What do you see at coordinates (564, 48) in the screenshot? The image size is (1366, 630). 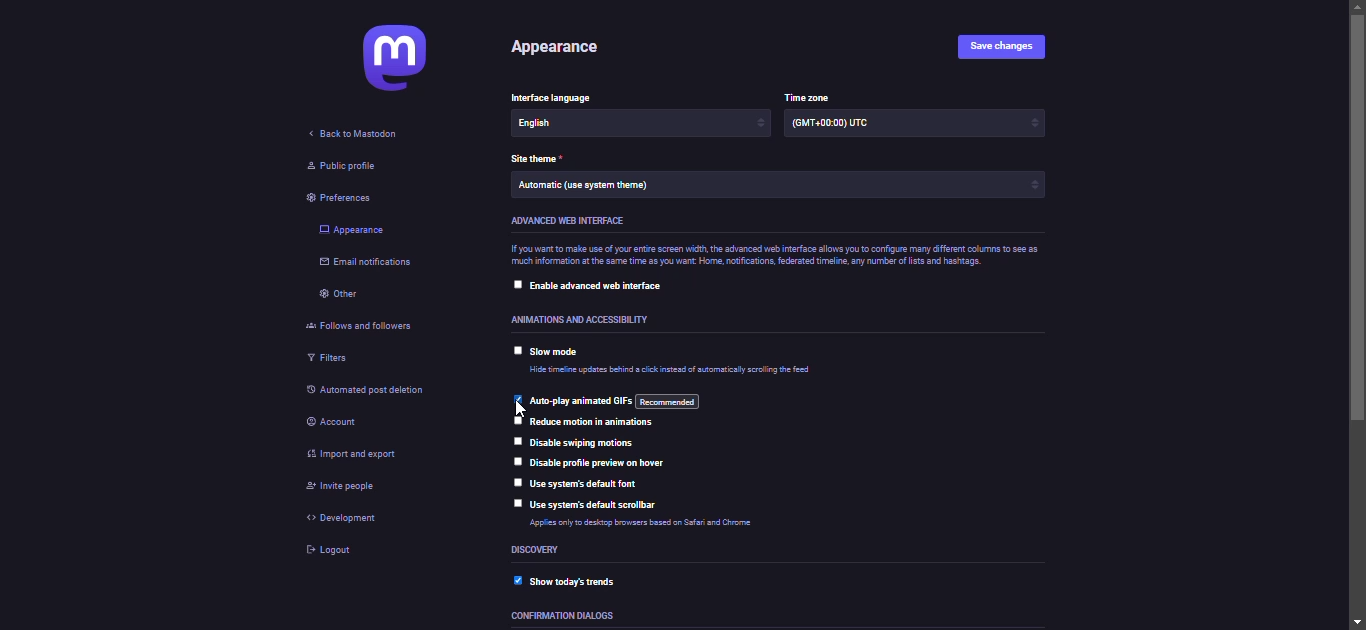 I see `appearance` at bounding box center [564, 48].